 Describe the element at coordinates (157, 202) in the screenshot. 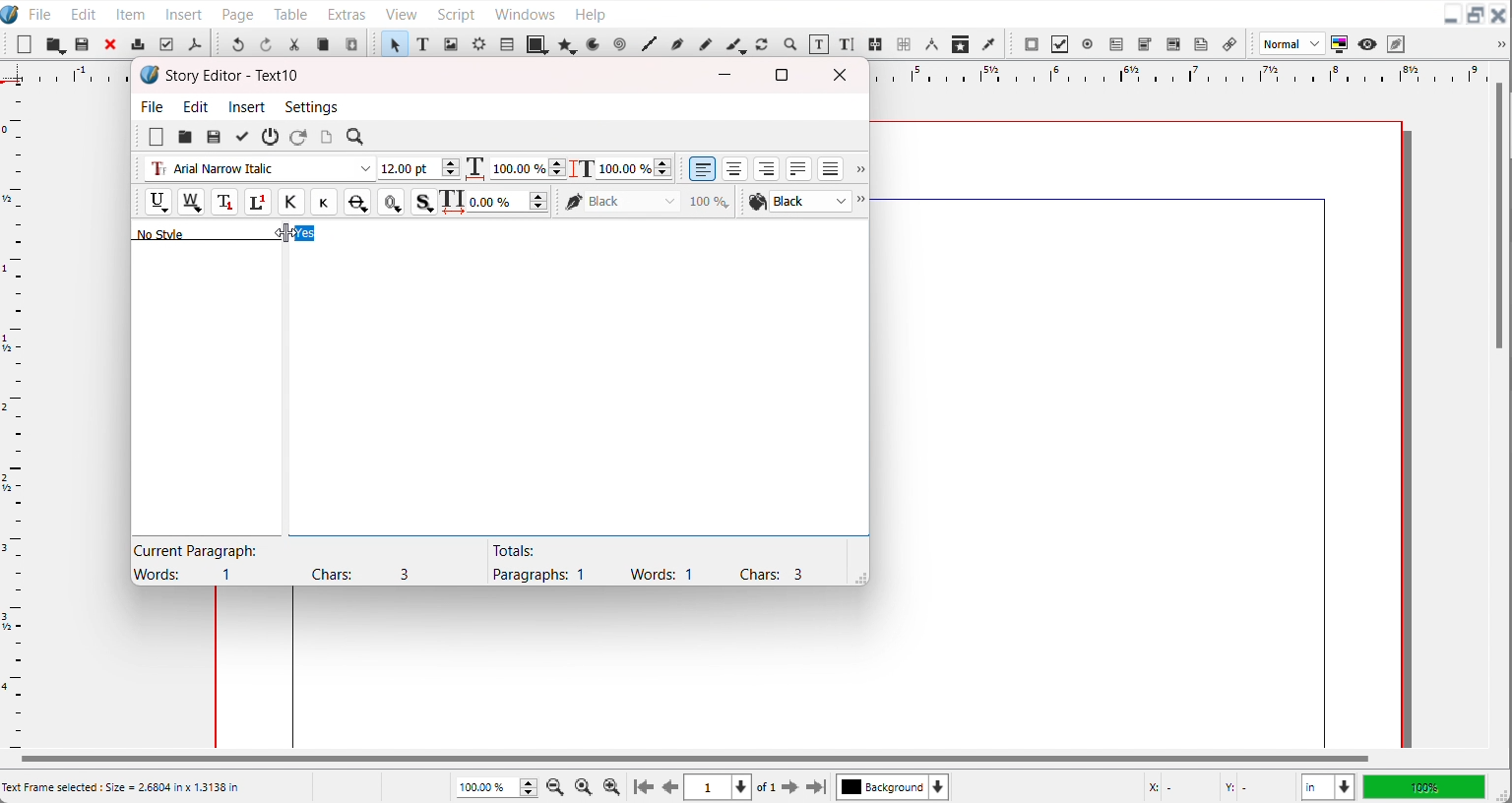

I see `Underline` at that location.